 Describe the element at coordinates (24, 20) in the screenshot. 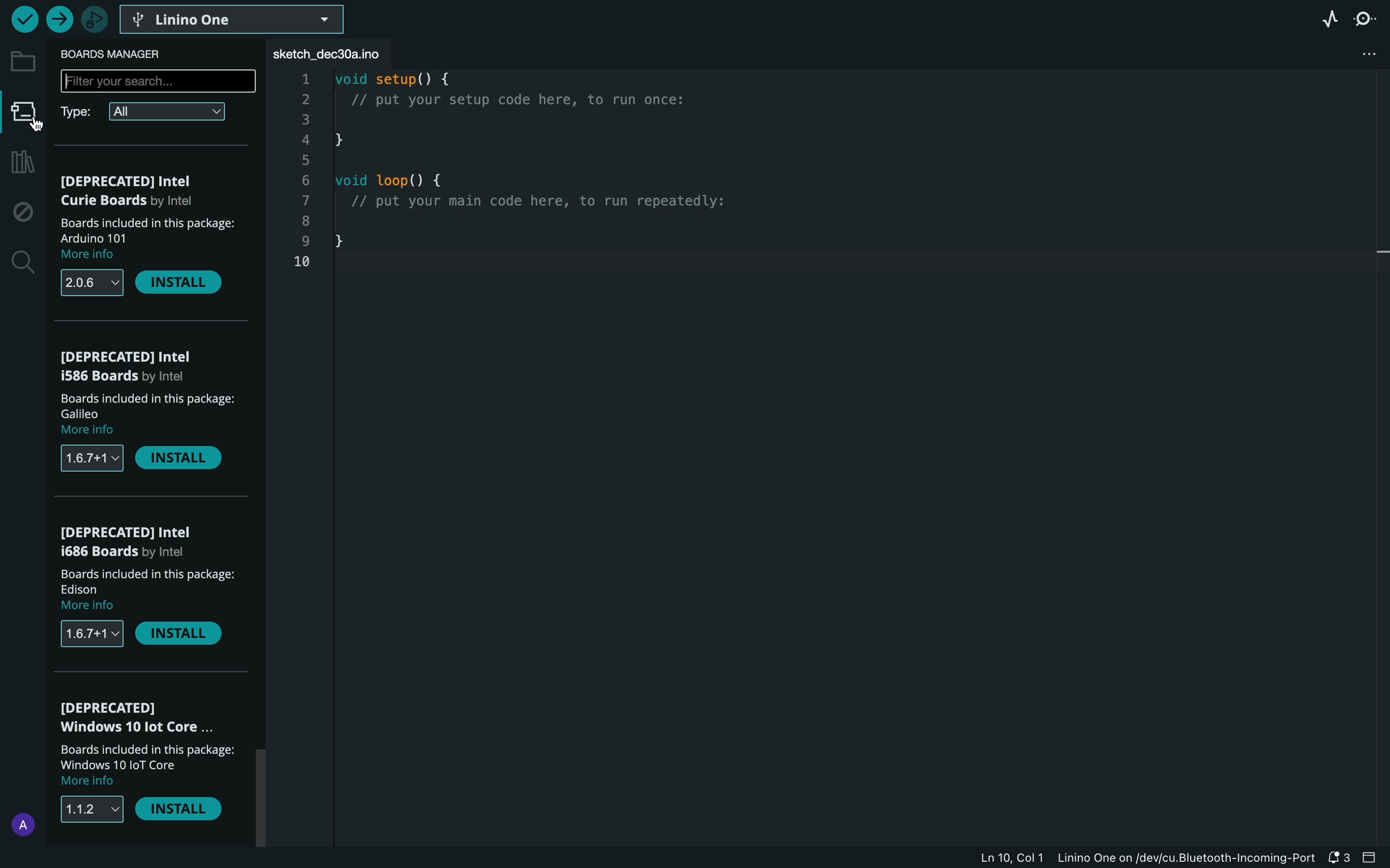

I see `verify` at that location.